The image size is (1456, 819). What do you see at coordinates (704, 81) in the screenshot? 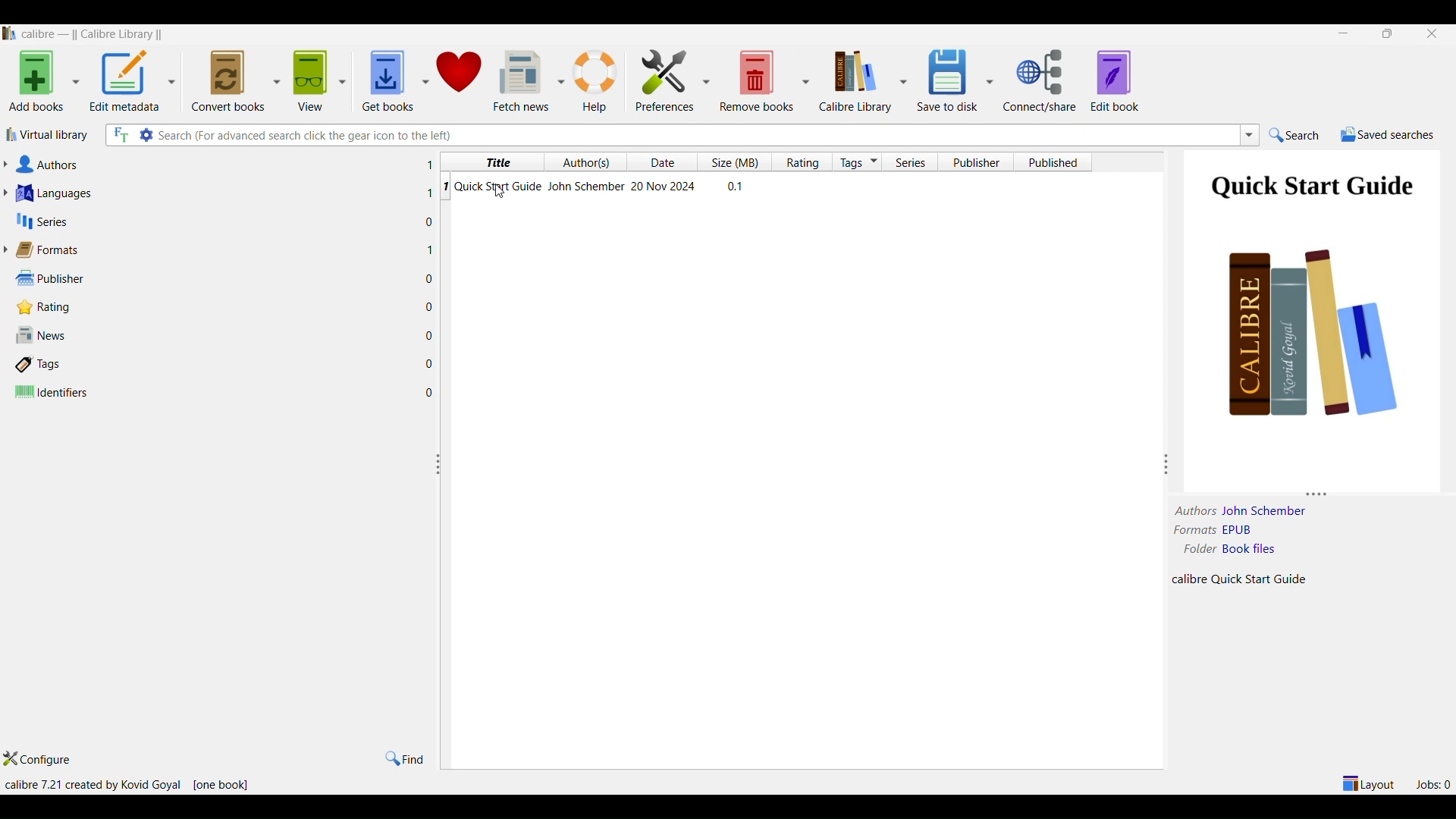
I see `preferences options dropdown button` at bounding box center [704, 81].